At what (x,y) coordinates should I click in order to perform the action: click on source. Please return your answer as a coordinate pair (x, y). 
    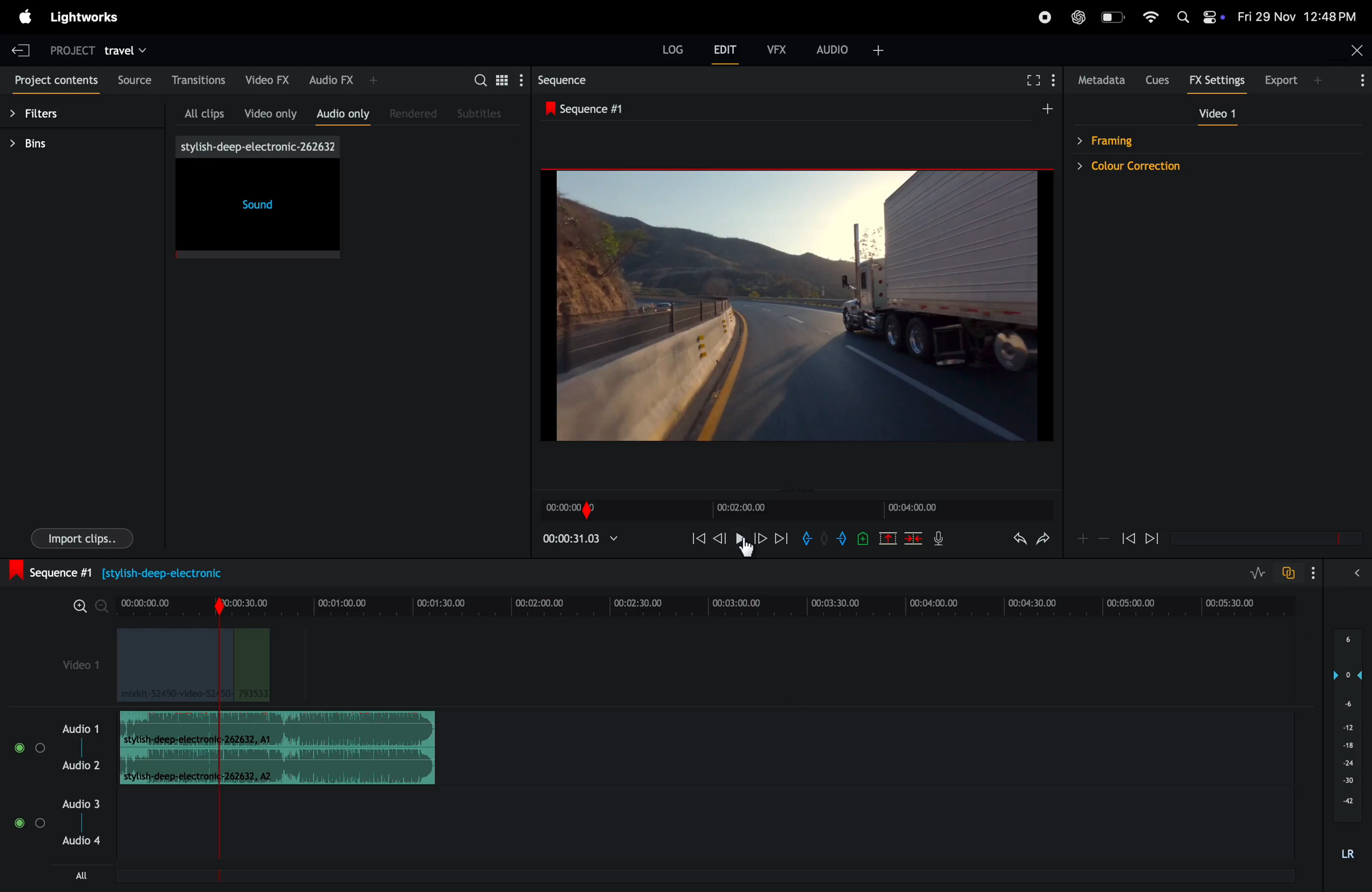
    Looking at the image, I should click on (133, 82).